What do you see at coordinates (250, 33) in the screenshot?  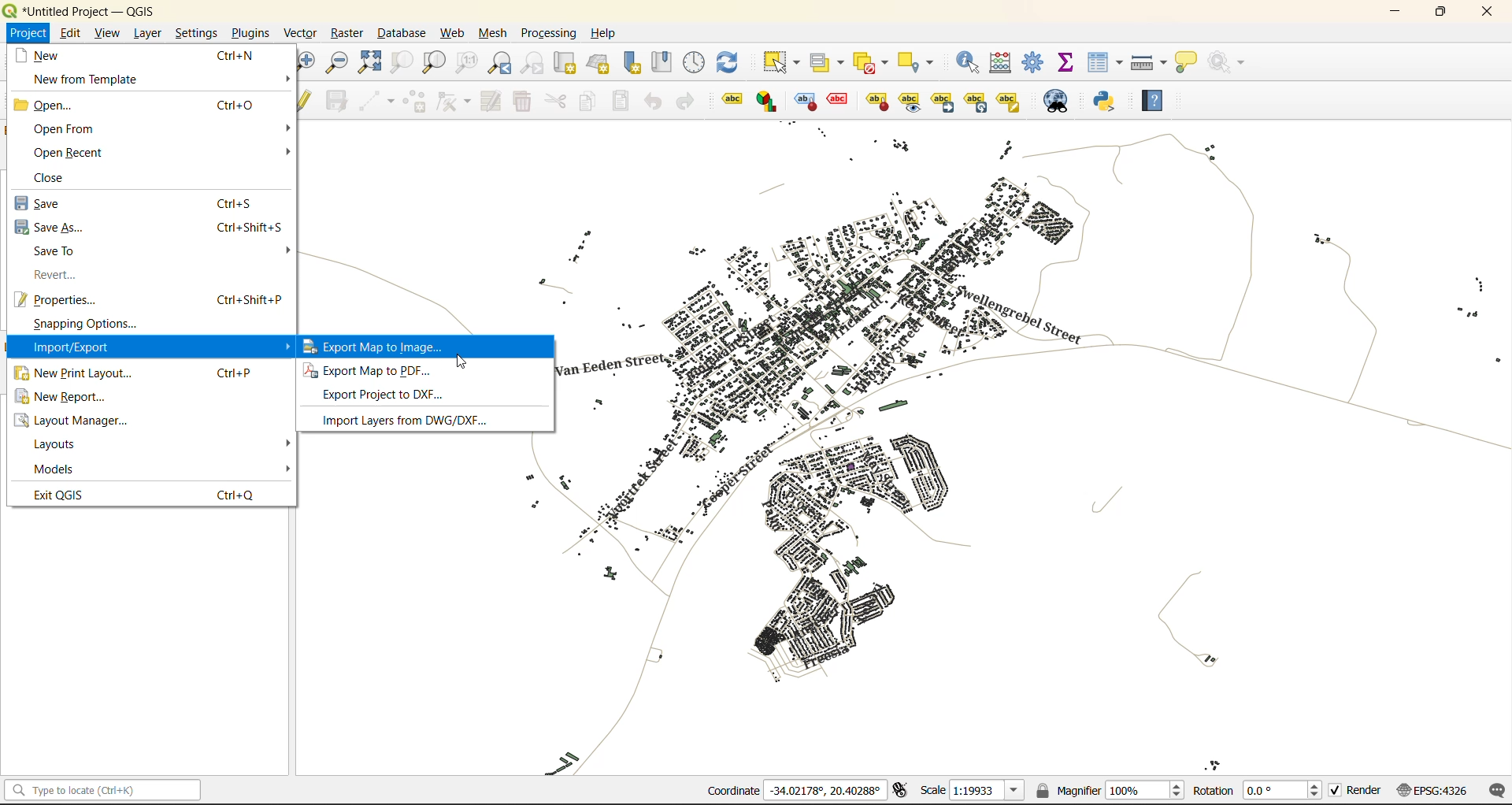 I see `plugins` at bounding box center [250, 33].